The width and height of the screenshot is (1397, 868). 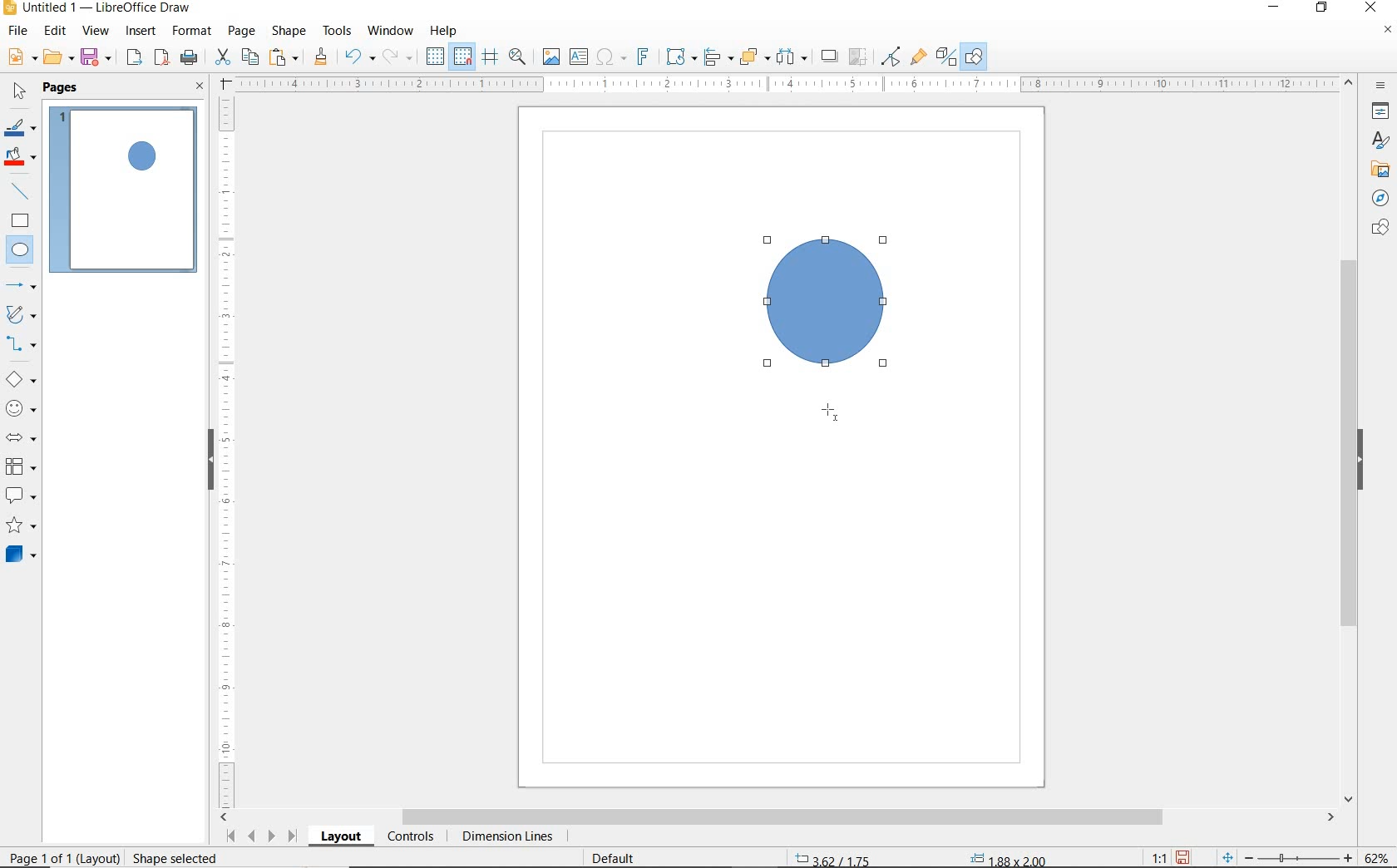 What do you see at coordinates (390, 31) in the screenshot?
I see `WINDOW` at bounding box center [390, 31].